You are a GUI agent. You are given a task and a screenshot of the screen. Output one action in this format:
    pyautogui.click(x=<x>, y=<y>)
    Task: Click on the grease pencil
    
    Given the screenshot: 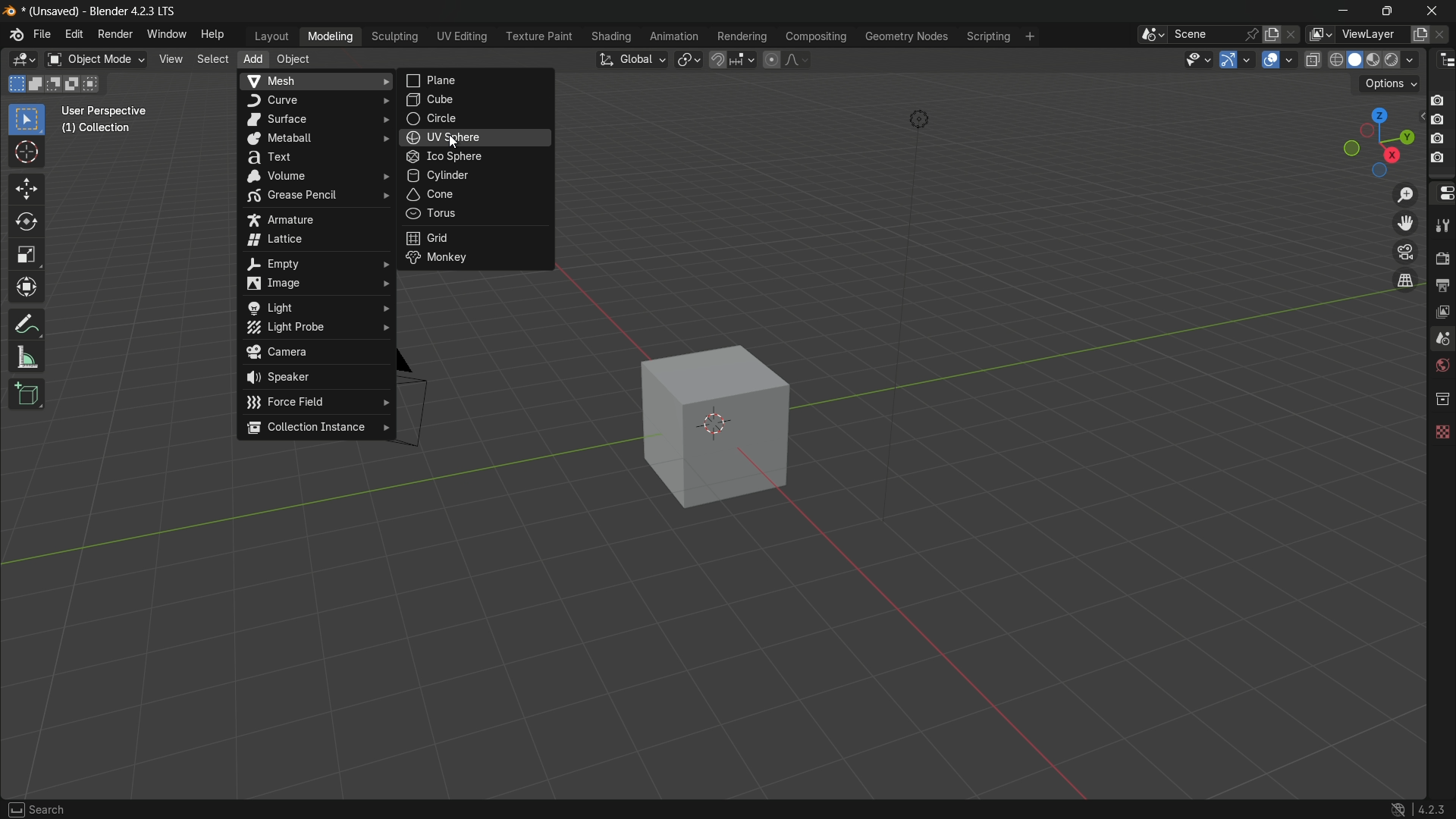 What is the action you would take?
    pyautogui.click(x=314, y=196)
    